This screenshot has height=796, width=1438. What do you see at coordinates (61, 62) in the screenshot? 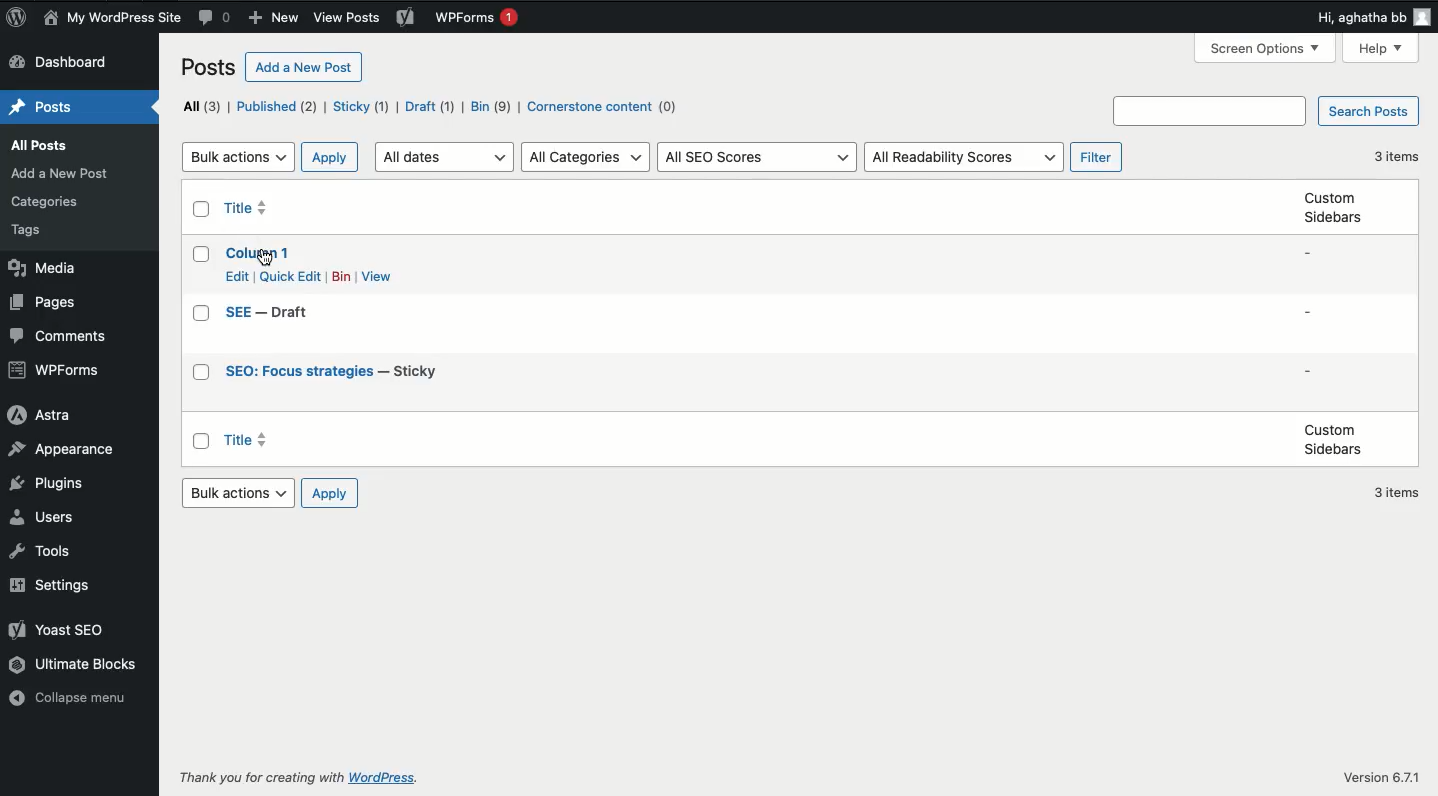
I see `Dashboard ` at bounding box center [61, 62].